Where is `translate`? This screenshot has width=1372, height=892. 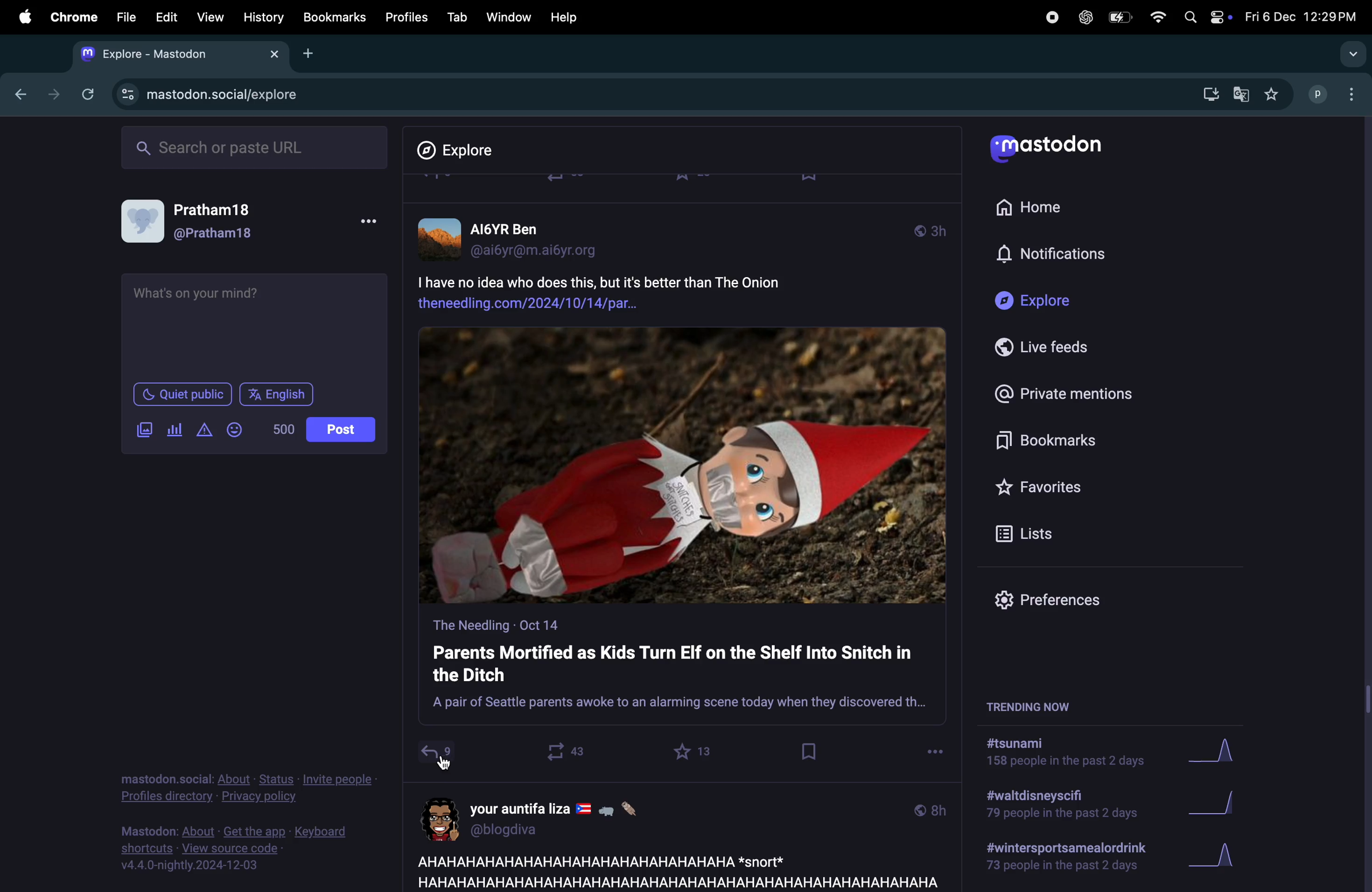 translate is located at coordinates (1241, 96).